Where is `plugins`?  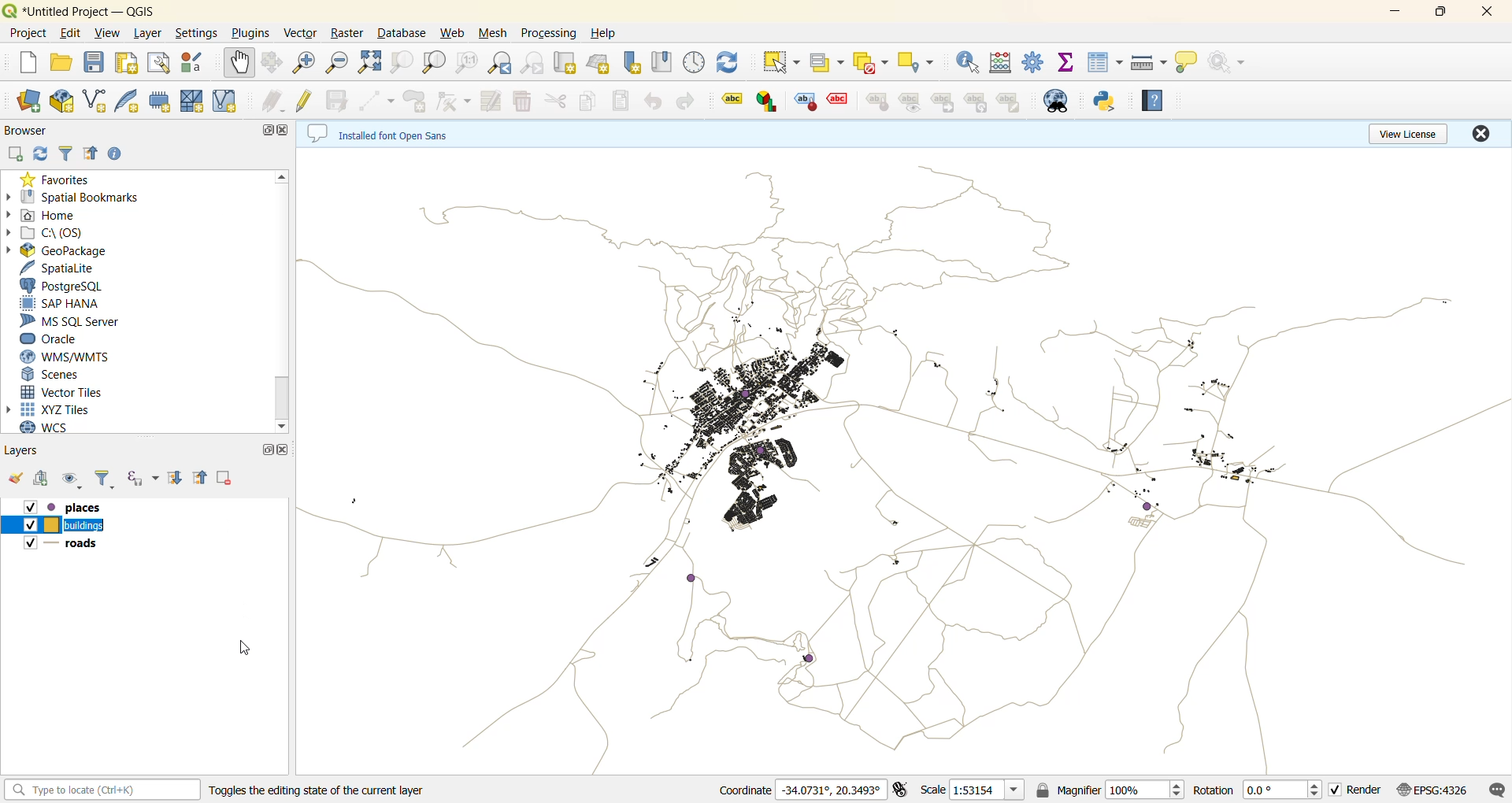
plugins is located at coordinates (250, 31).